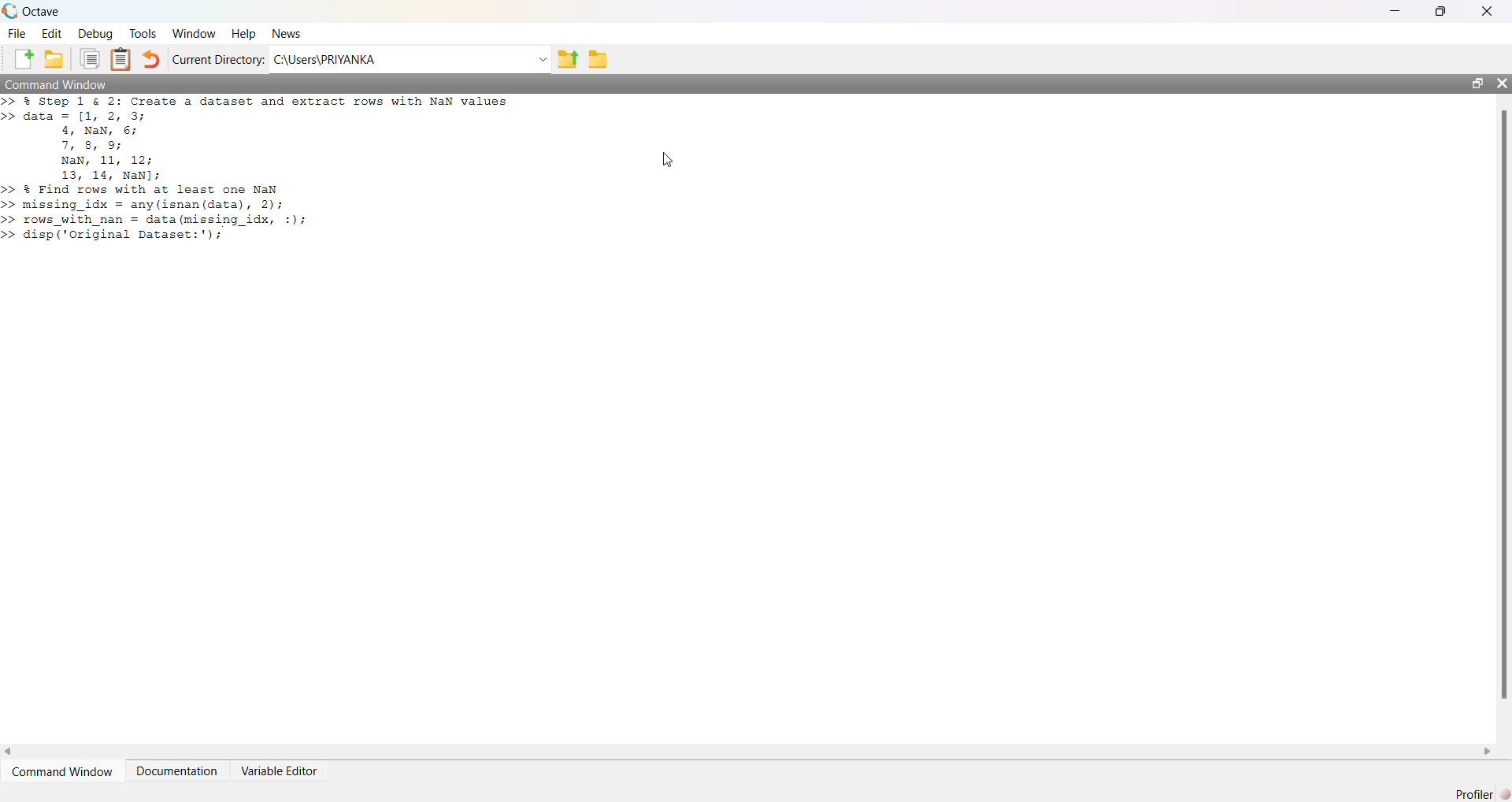 The height and width of the screenshot is (802, 1512). Describe the element at coordinates (62, 772) in the screenshot. I see `Command Window` at that location.